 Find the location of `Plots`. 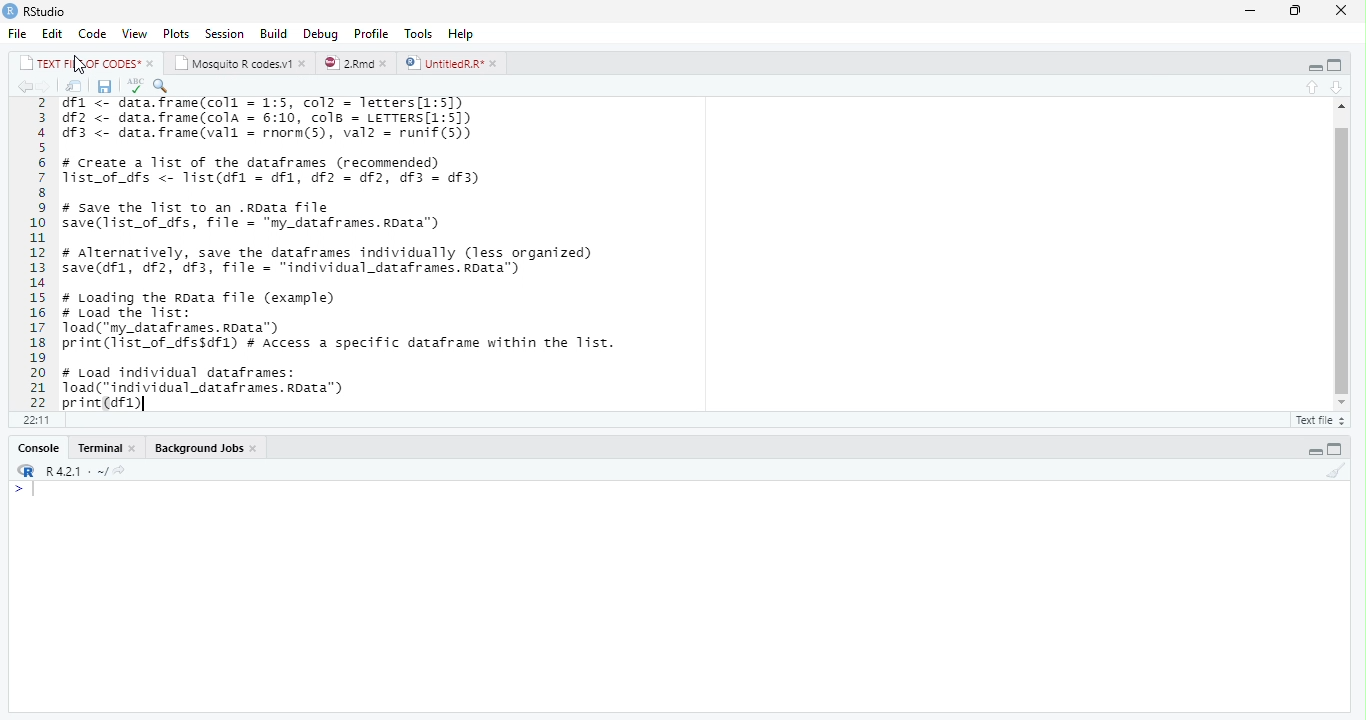

Plots is located at coordinates (176, 33).